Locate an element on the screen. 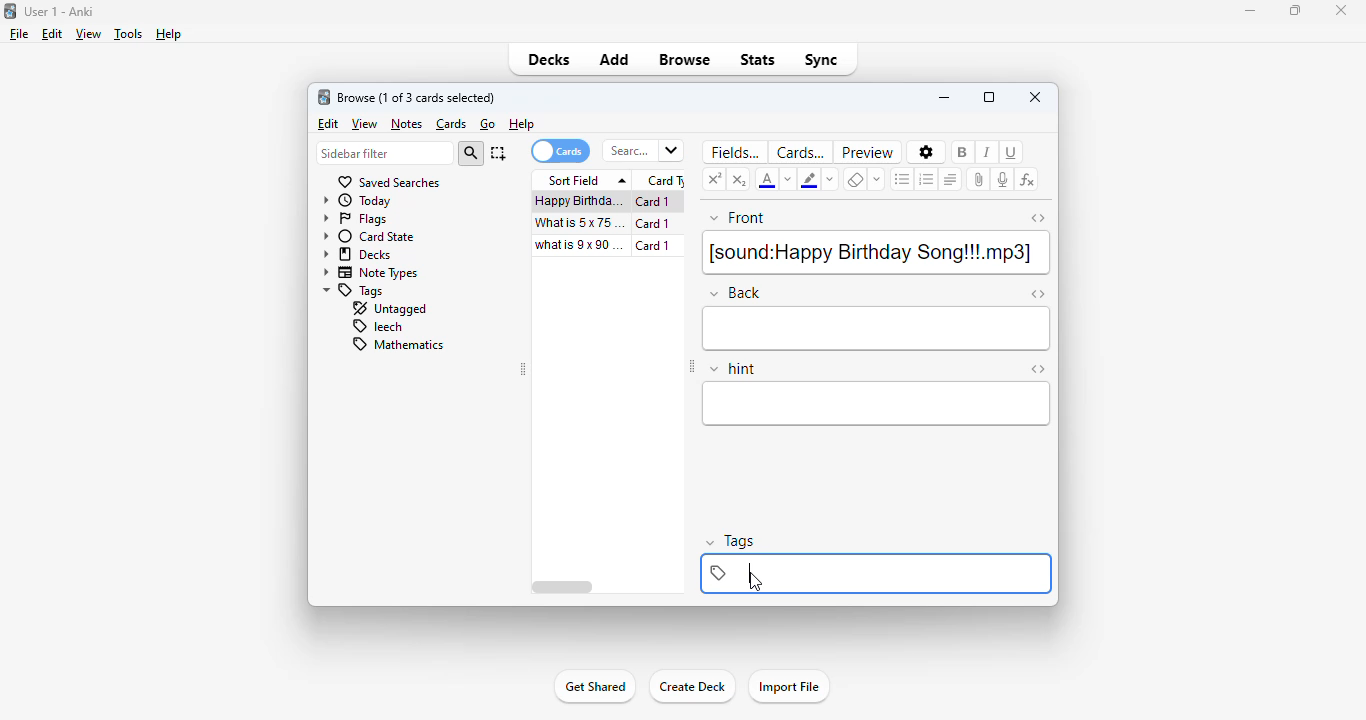  sort field is located at coordinates (583, 180).